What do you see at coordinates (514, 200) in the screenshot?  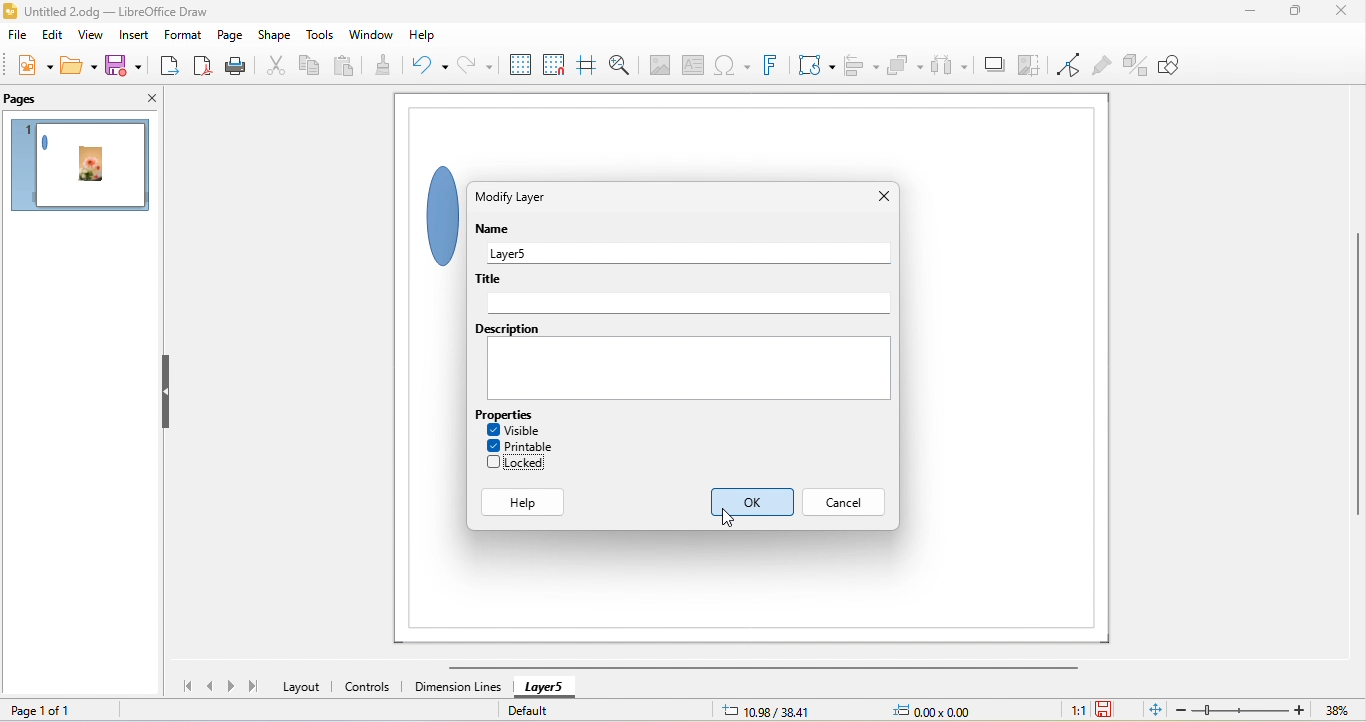 I see `modify layer` at bounding box center [514, 200].